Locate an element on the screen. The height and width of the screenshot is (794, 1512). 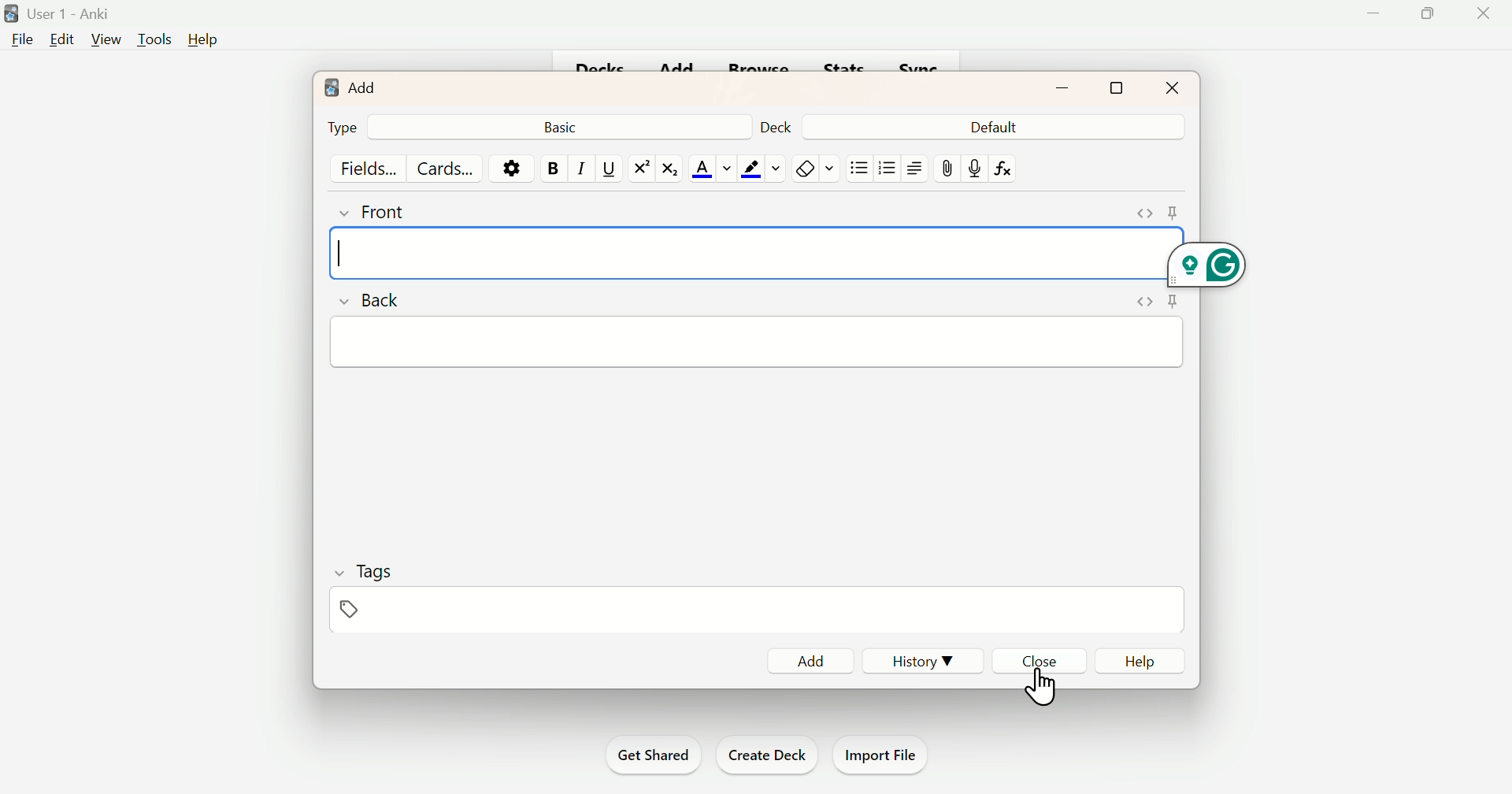
pin is located at coordinates (1172, 301).